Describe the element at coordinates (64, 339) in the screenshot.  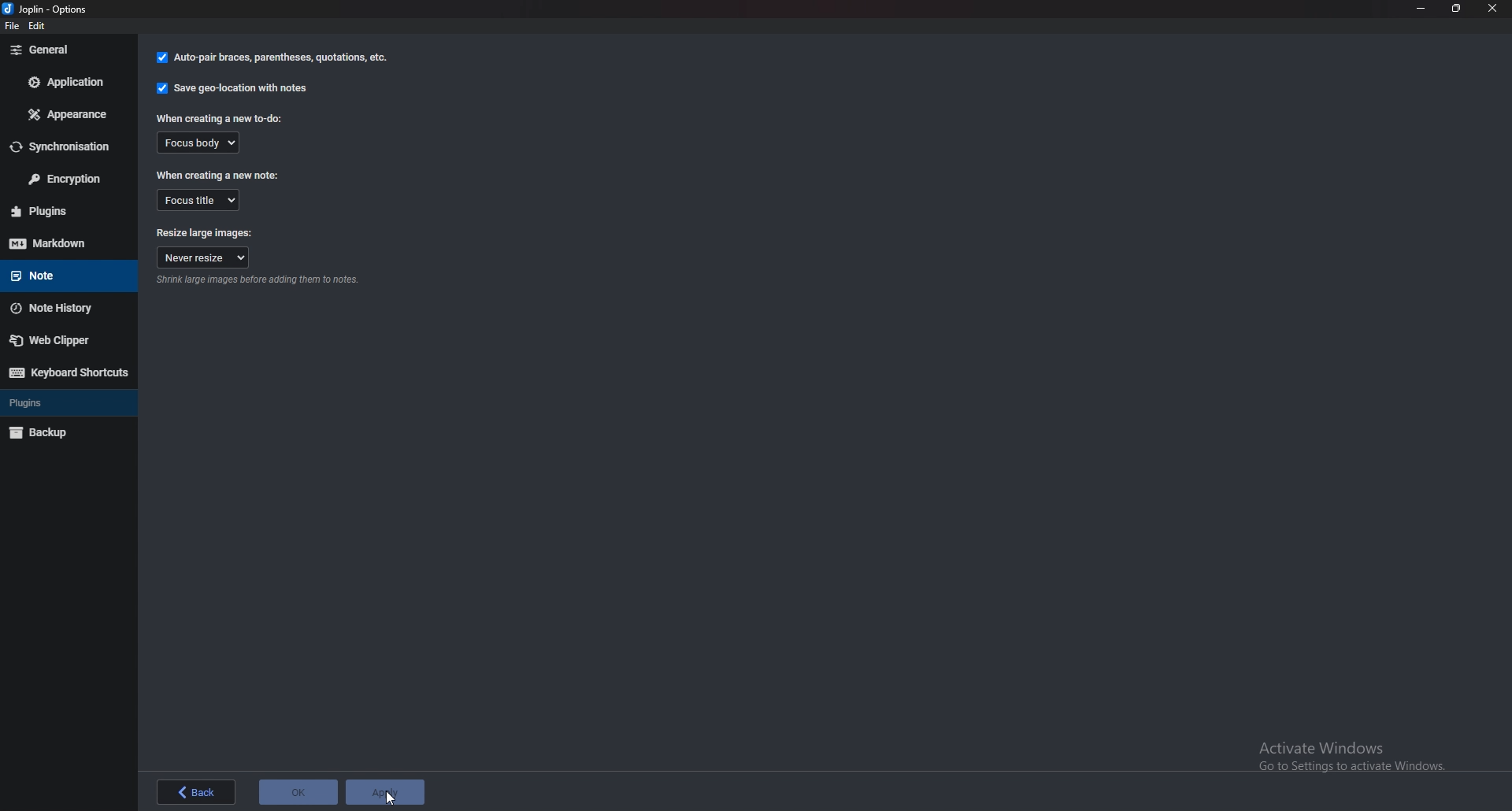
I see `Web clipper` at that location.